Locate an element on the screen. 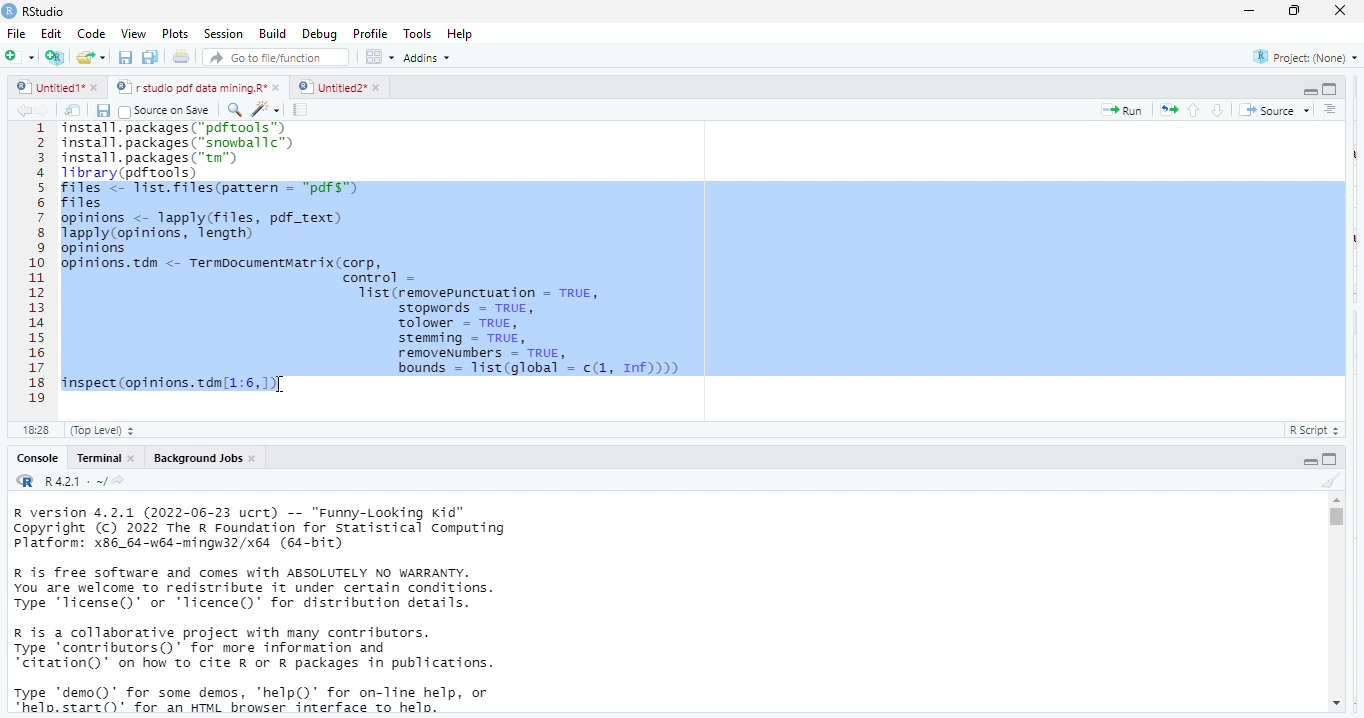 This screenshot has width=1364, height=718. options is located at coordinates (381, 56).